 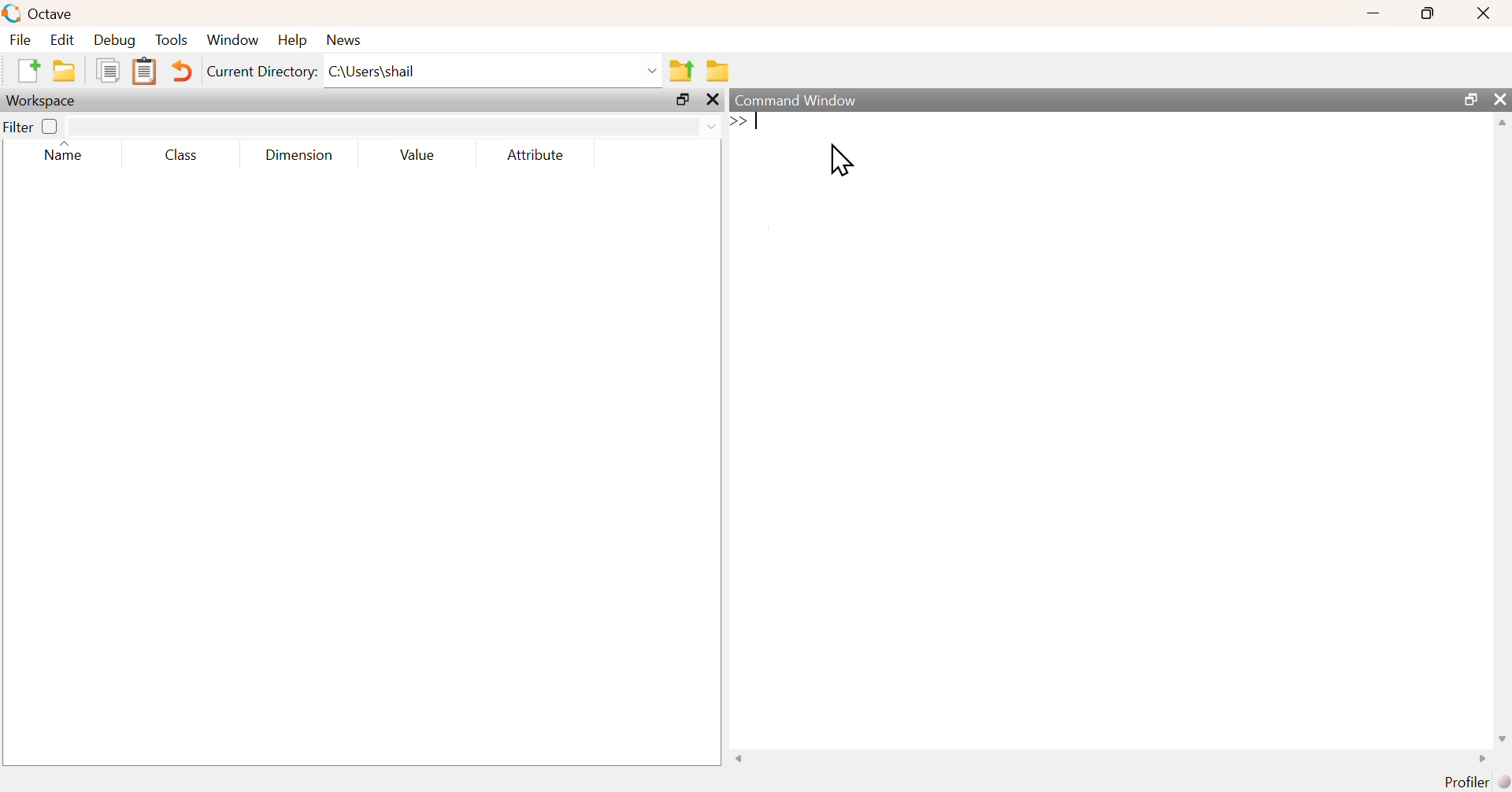 What do you see at coordinates (30, 69) in the screenshot?
I see `new script` at bounding box center [30, 69].